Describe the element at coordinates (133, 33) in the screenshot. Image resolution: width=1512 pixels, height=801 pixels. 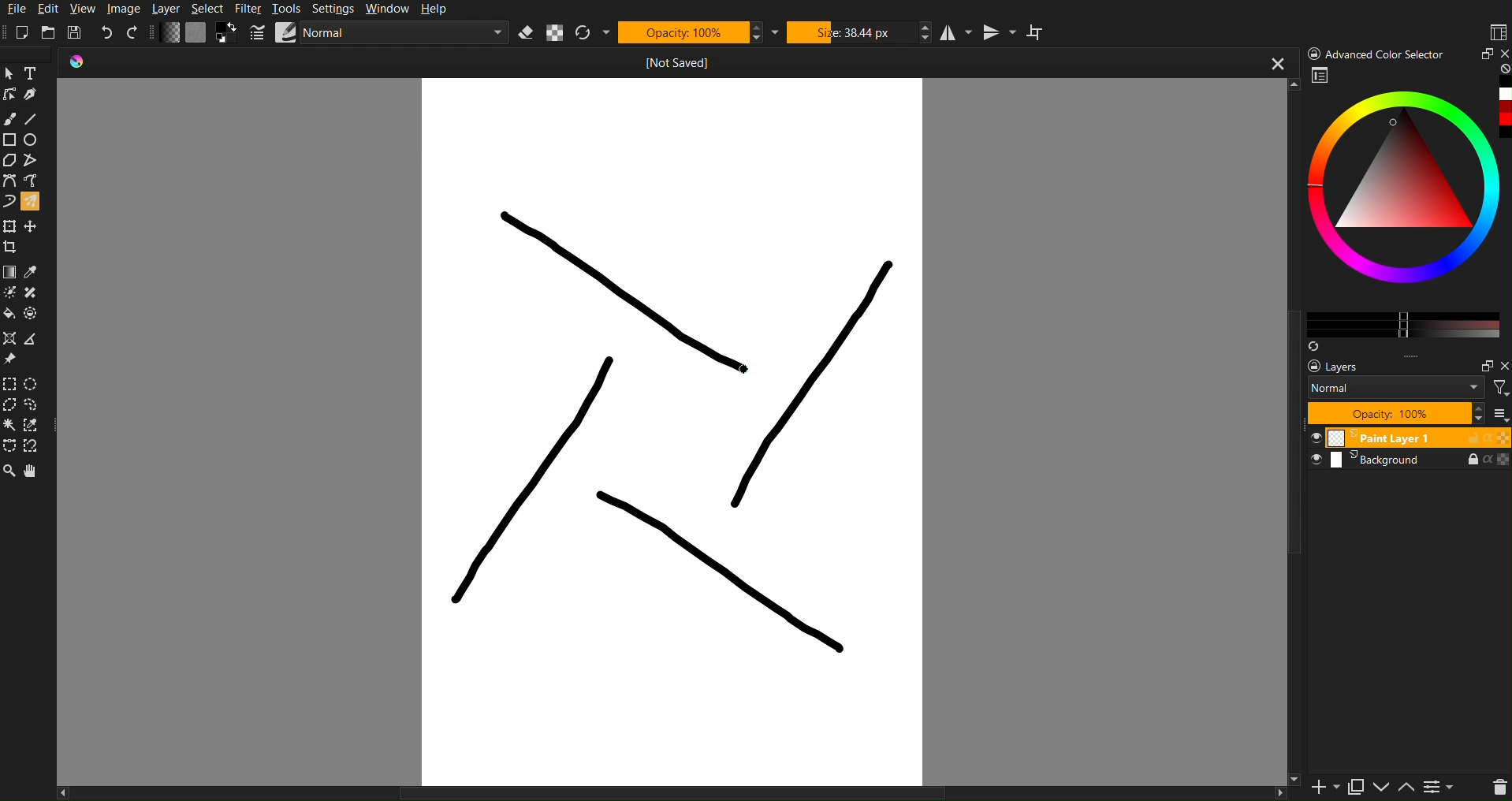
I see `Redo` at that location.